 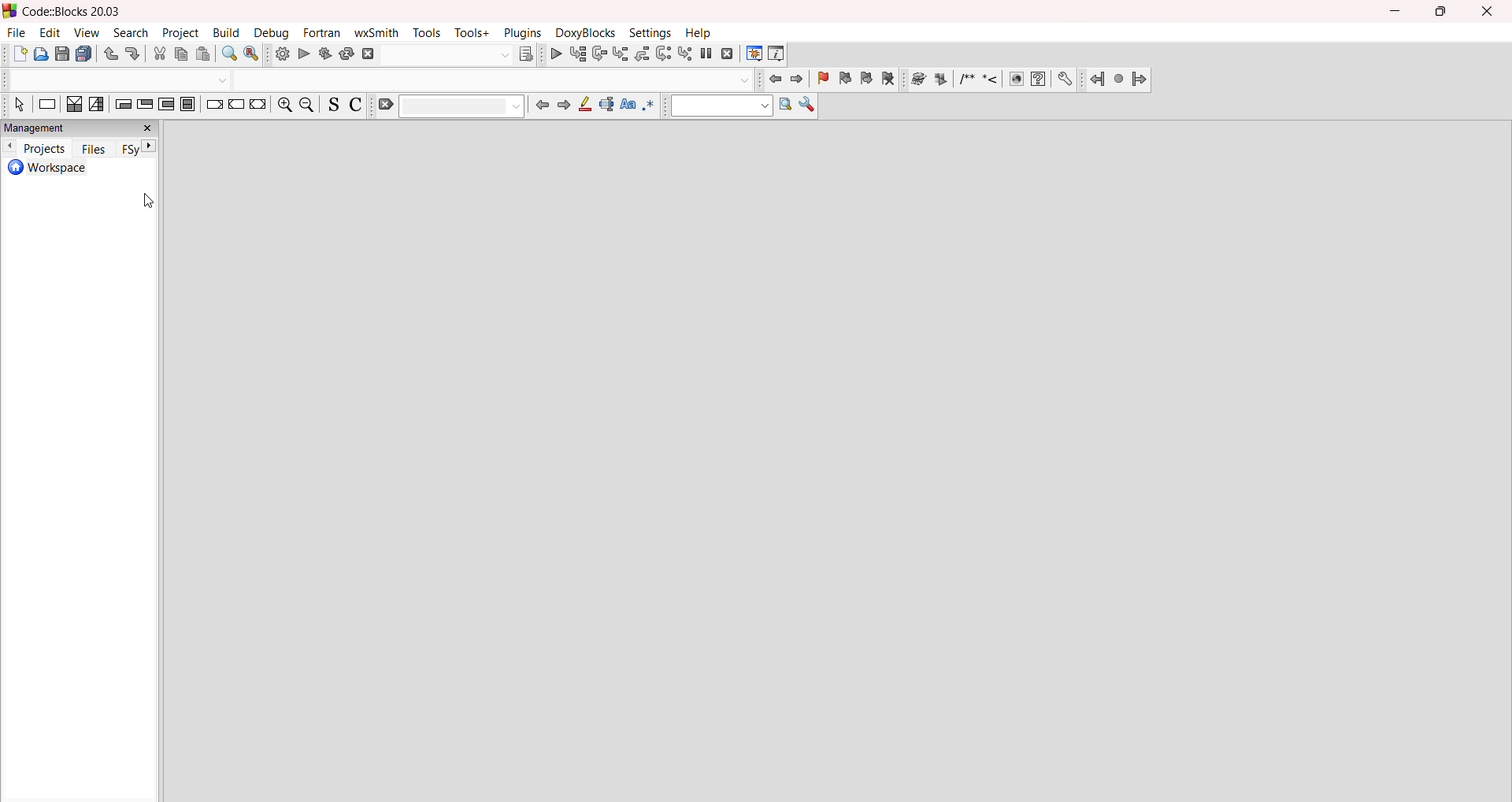 I want to click on run, so click(x=303, y=55).